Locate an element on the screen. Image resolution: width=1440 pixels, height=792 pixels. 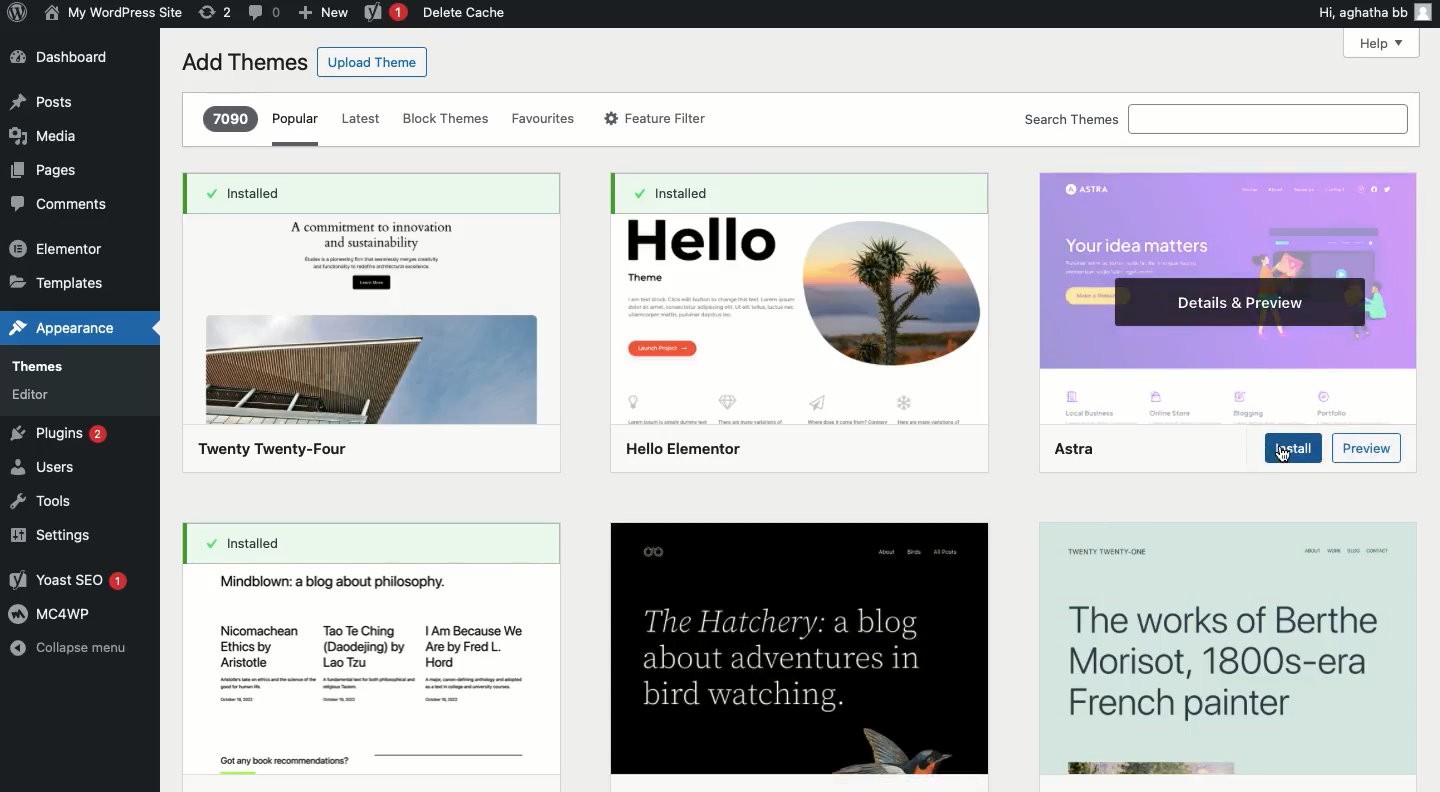
Installed is located at coordinates (377, 193).